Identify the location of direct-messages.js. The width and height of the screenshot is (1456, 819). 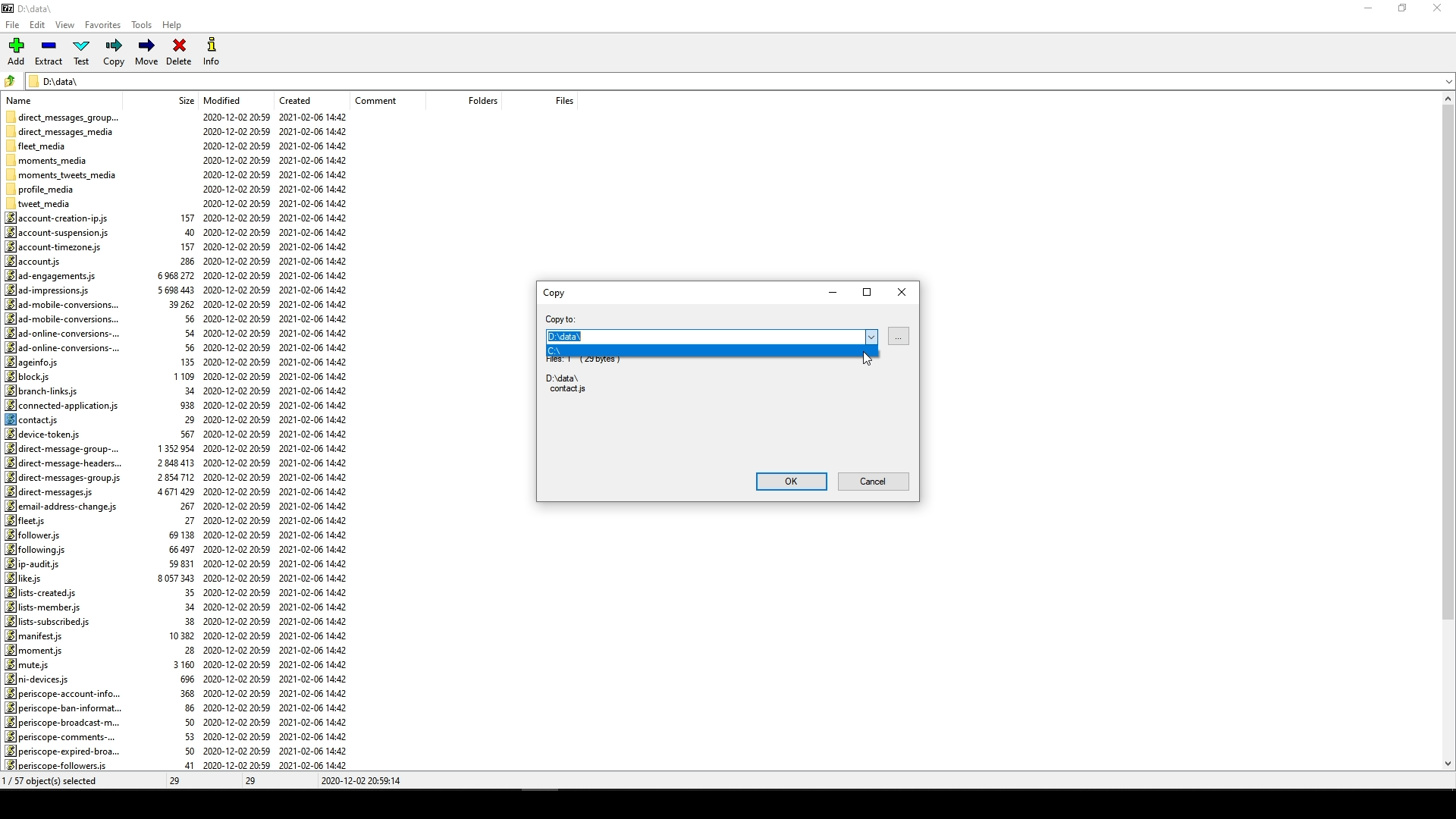
(52, 492).